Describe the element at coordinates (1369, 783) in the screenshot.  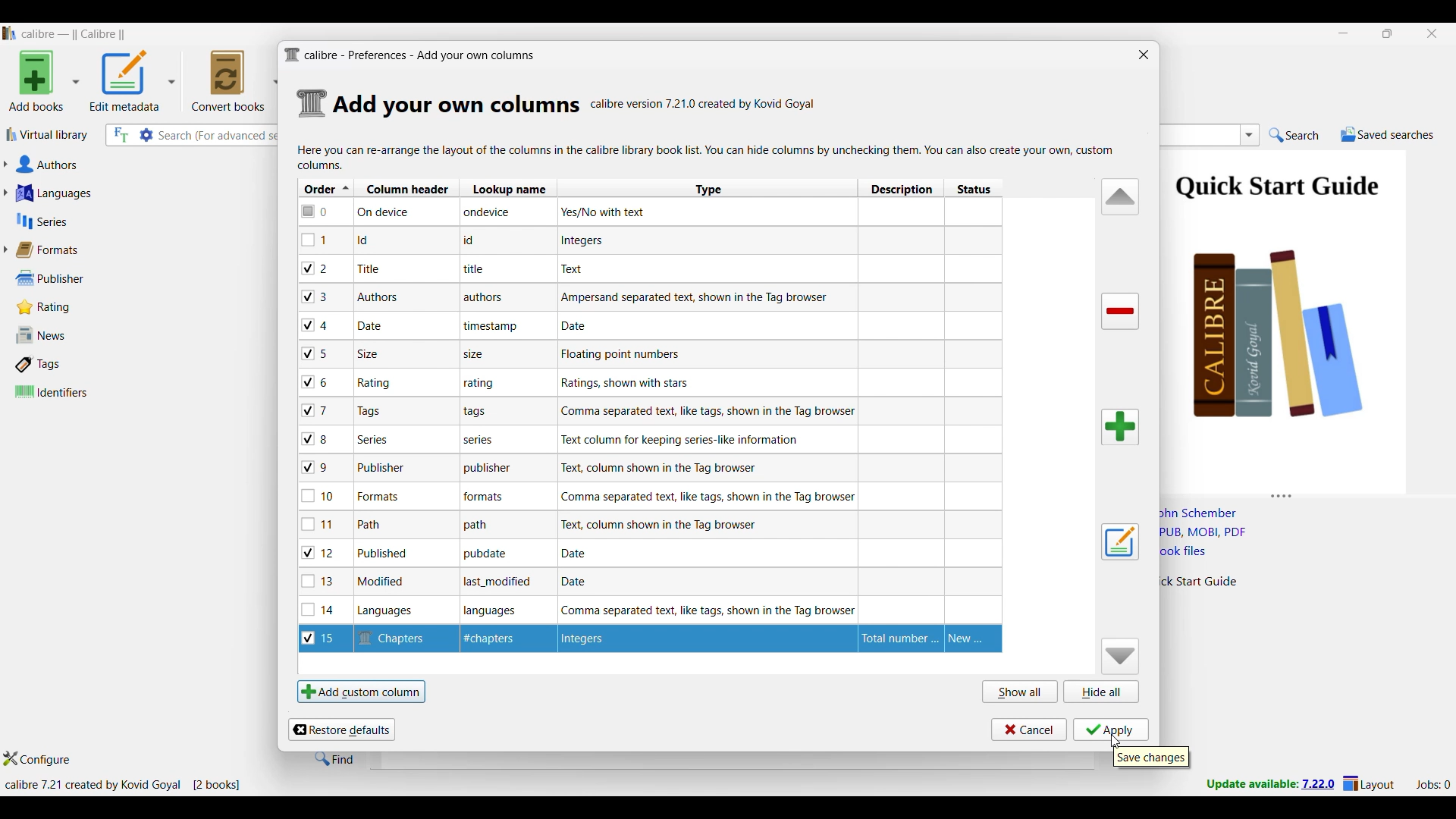
I see `Layout settings` at that location.